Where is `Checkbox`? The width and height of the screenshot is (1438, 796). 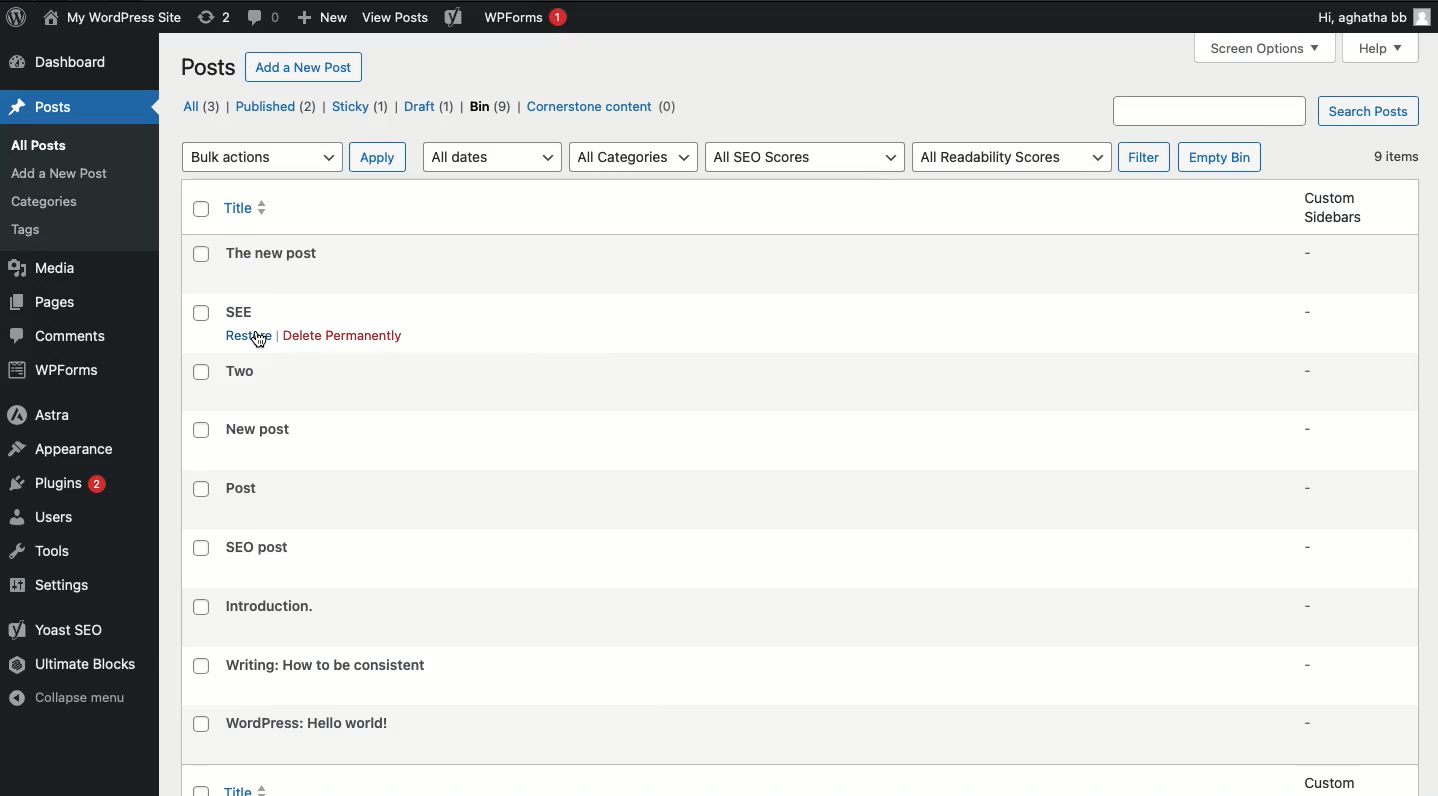 Checkbox is located at coordinates (202, 209).